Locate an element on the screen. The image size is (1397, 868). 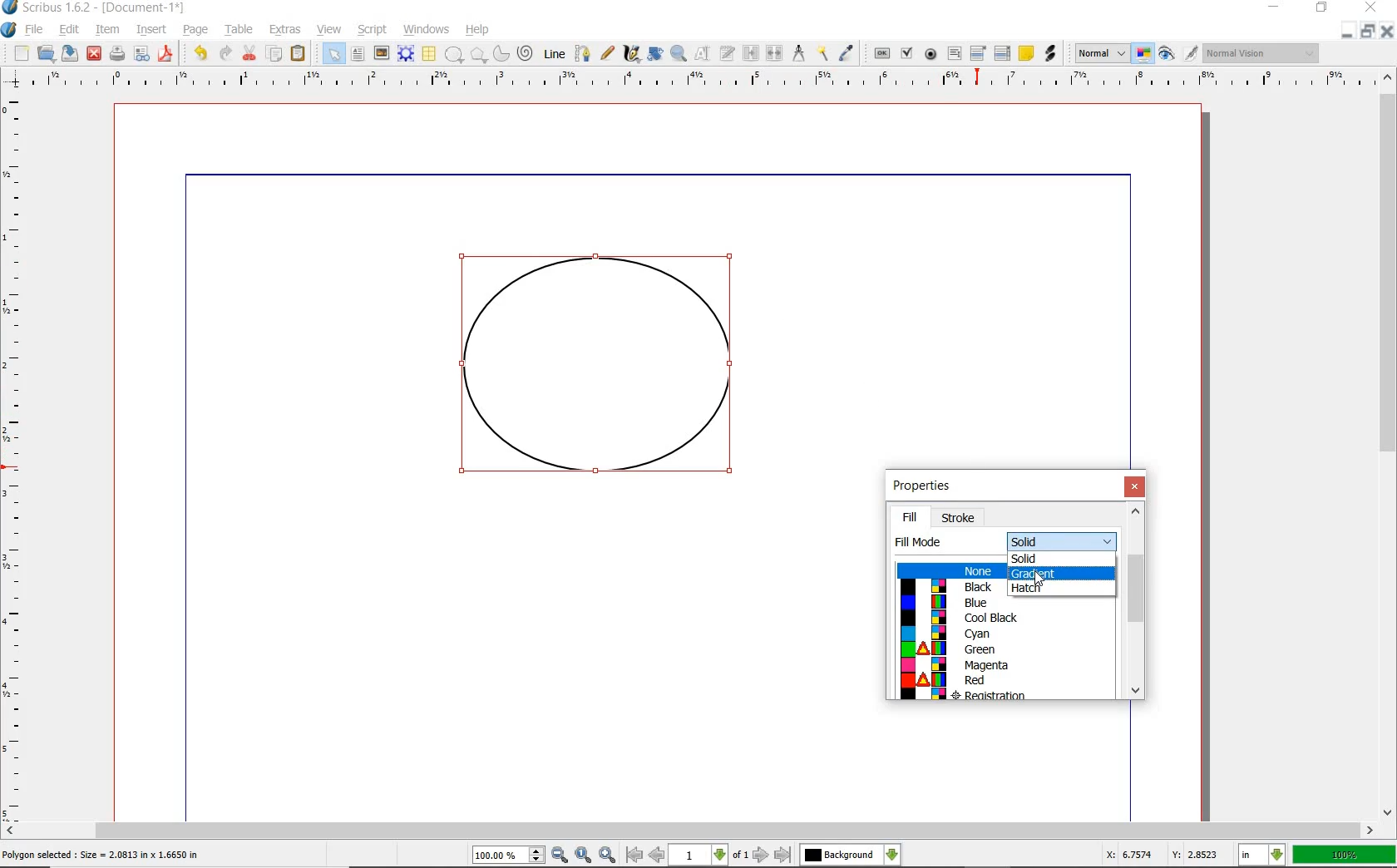
RULER is located at coordinates (14, 461).